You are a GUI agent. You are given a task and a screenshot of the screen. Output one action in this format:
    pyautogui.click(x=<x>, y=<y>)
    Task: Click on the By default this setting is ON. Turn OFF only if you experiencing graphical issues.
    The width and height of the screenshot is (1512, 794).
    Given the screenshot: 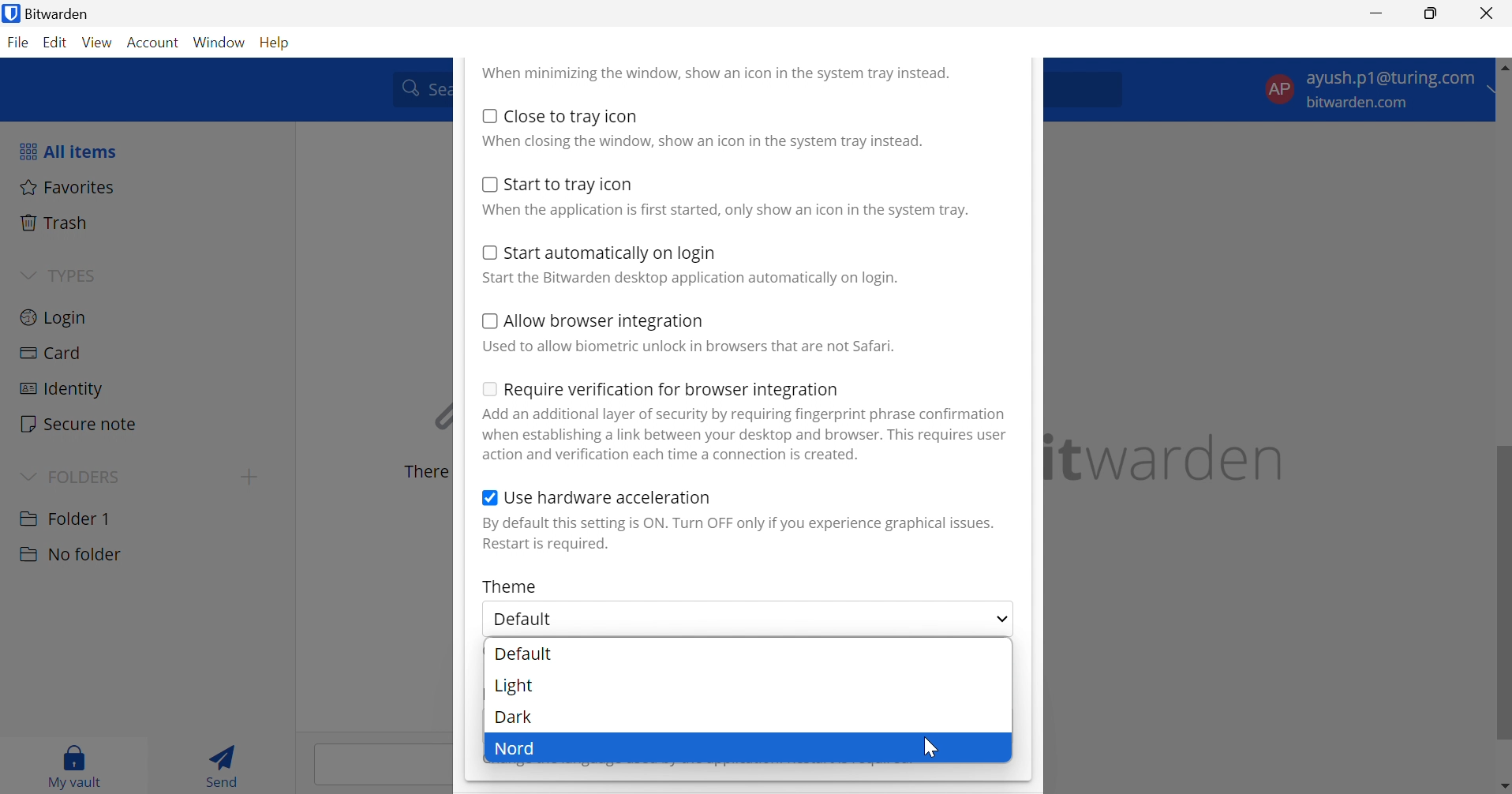 What is the action you would take?
    pyautogui.click(x=738, y=523)
    